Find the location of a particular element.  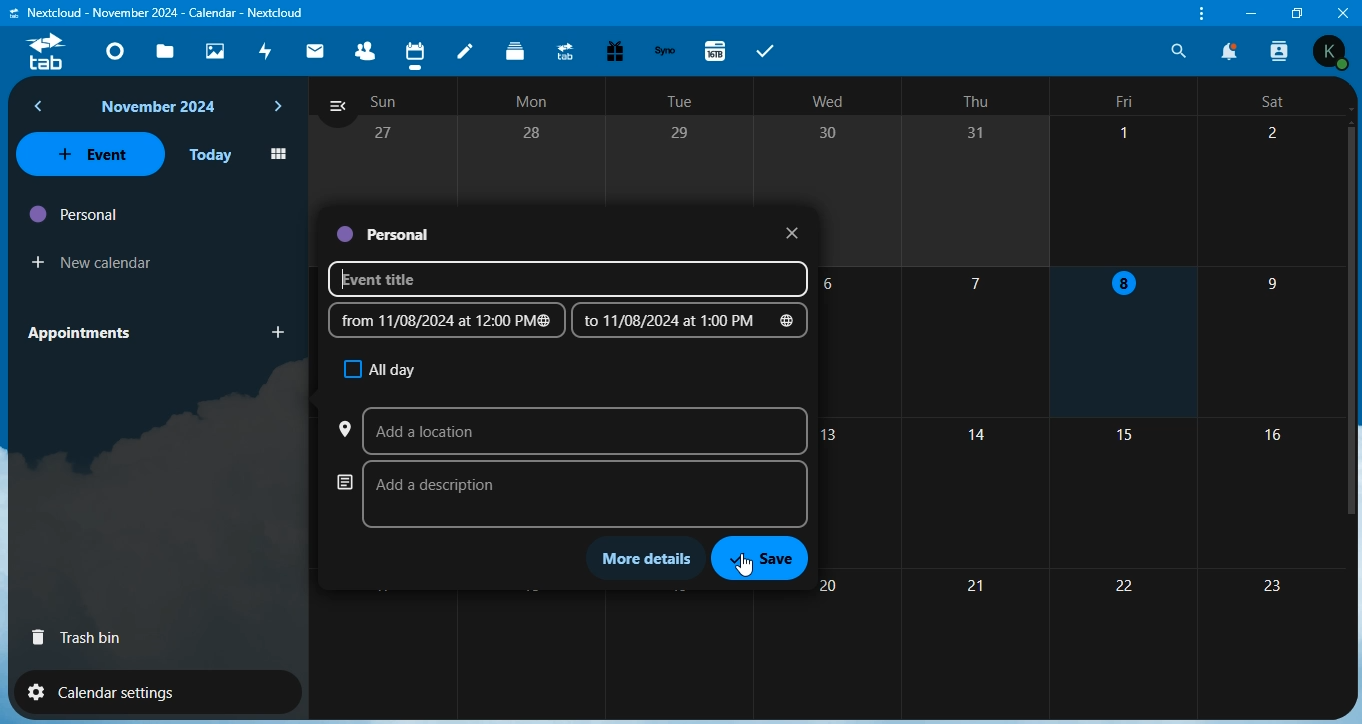

event title is located at coordinates (565, 279).